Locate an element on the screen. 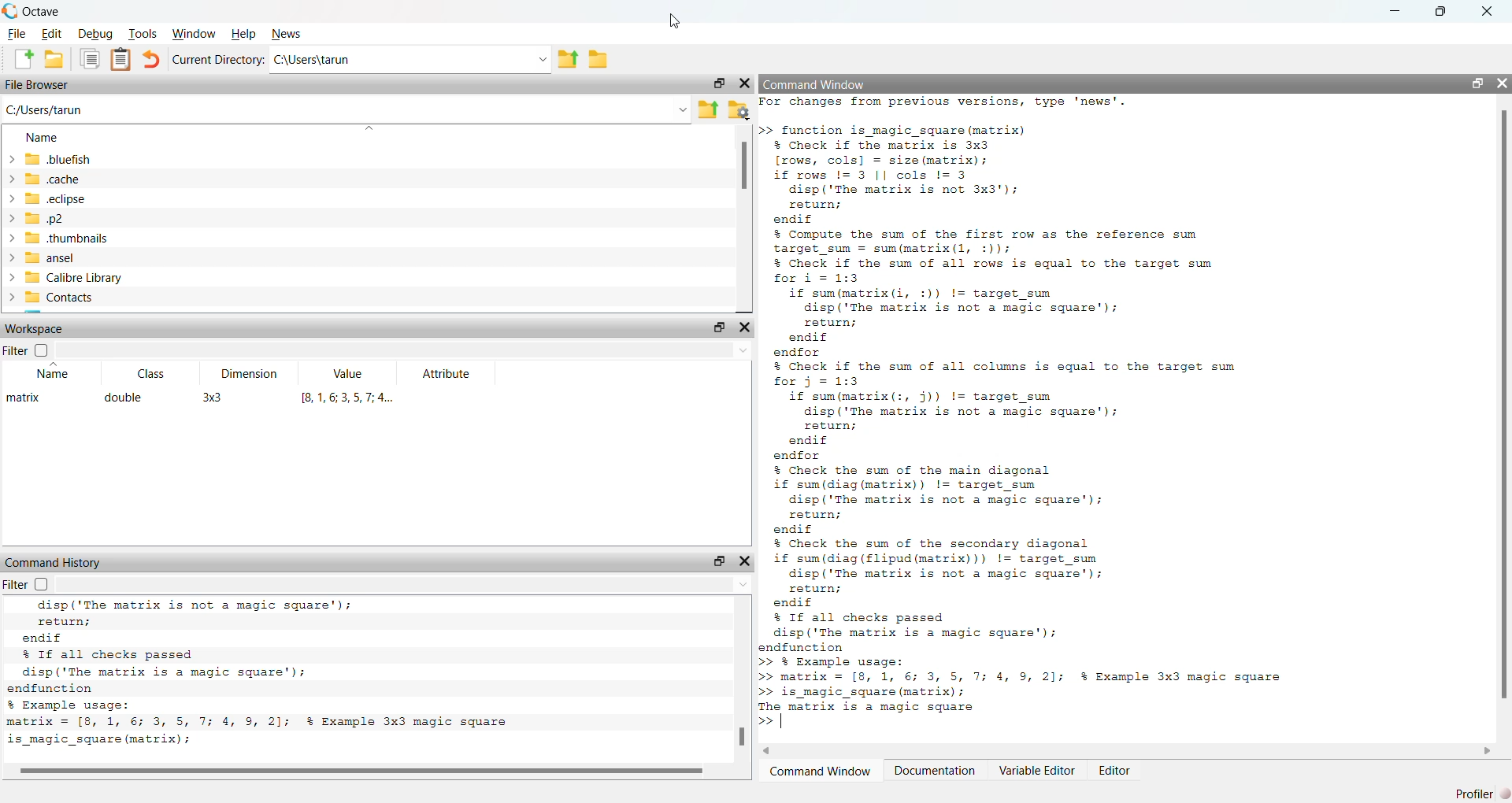 The height and width of the screenshot is (803, 1512). New folder is located at coordinates (54, 59).